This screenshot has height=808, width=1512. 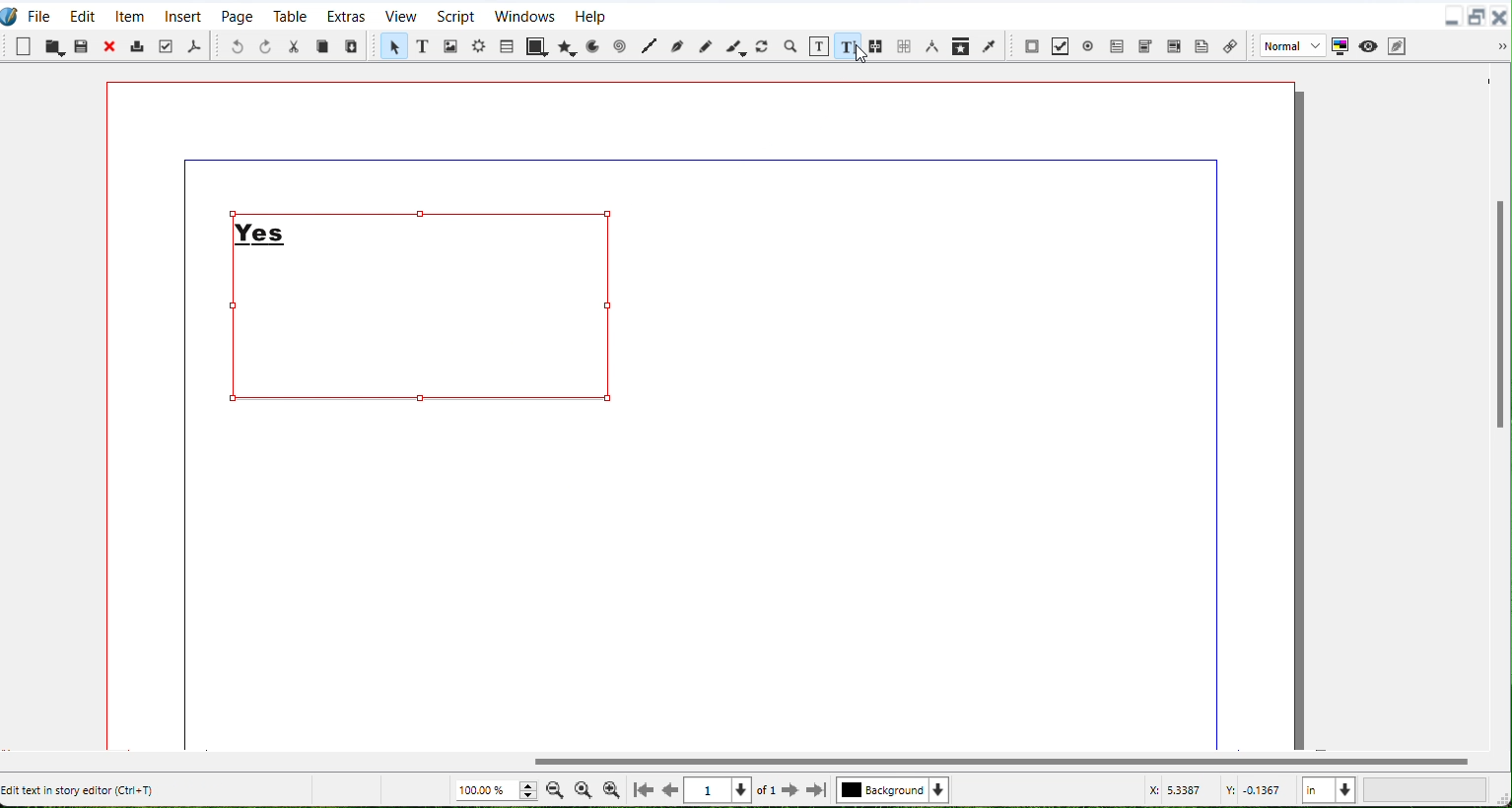 I want to click on Line, so click(x=648, y=47).